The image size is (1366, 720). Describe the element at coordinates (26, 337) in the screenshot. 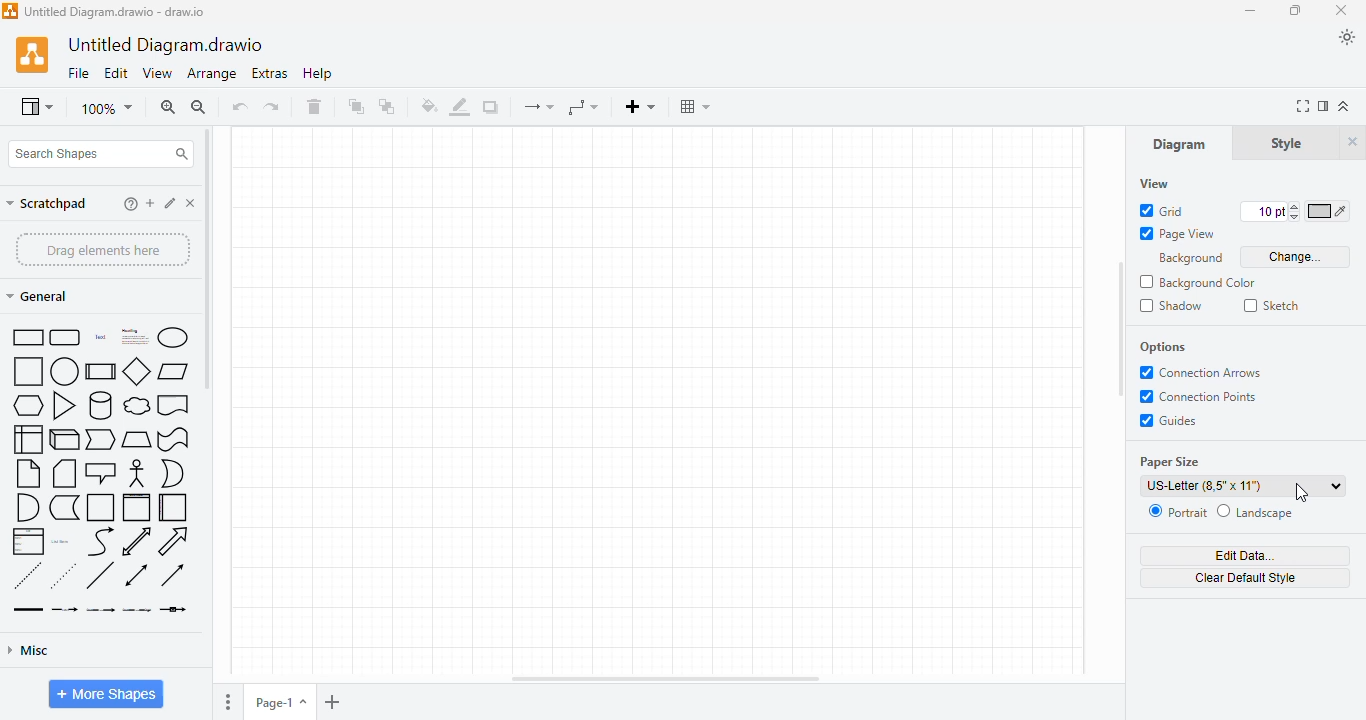

I see `rectangle` at that location.